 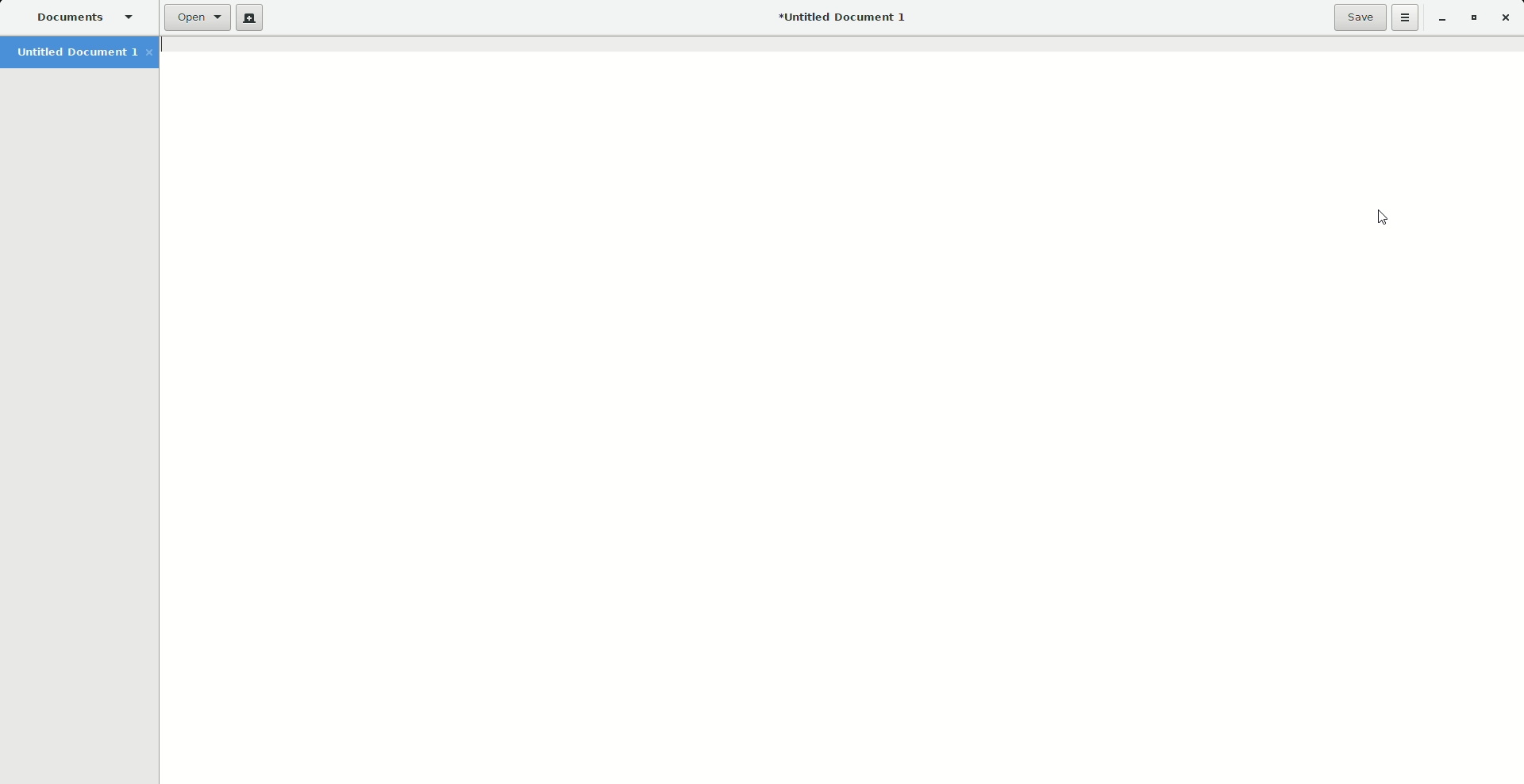 I want to click on Documents, so click(x=87, y=18).